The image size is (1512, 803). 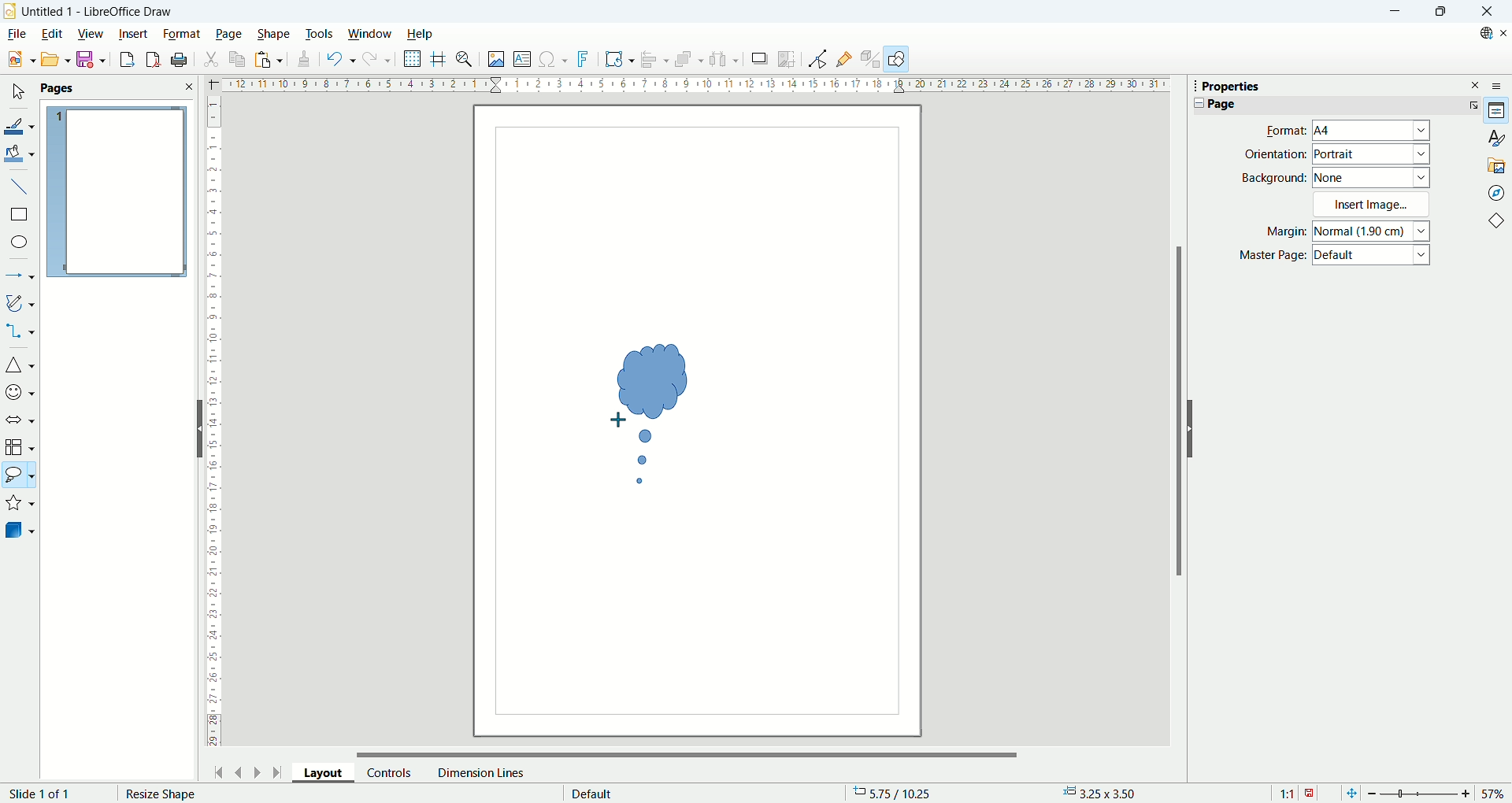 What do you see at coordinates (1497, 111) in the screenshot?
I see `Properties` at bounding box center [1497, 111].